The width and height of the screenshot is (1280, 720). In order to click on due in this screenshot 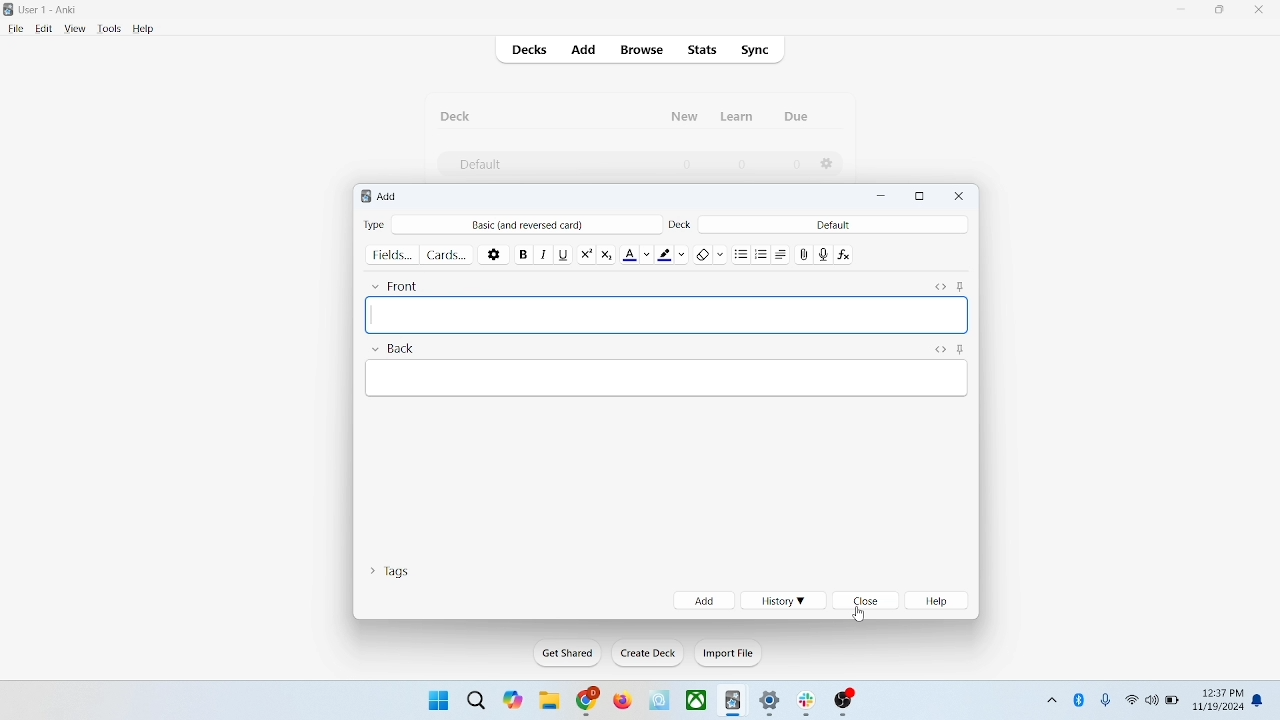, I will do `click(798, 117)`.